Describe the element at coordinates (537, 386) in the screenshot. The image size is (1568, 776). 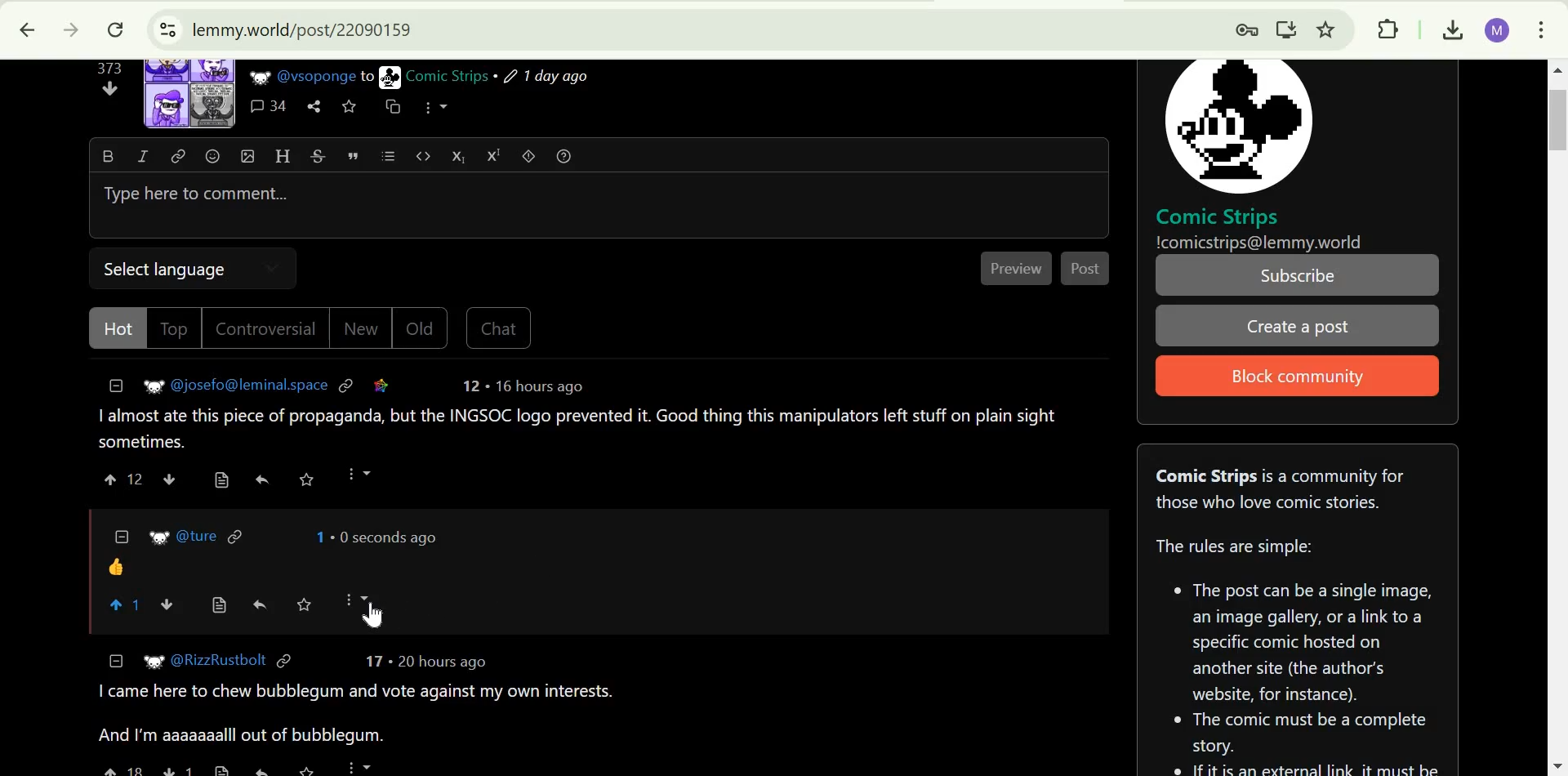
I see `16 hours ago` at that location.